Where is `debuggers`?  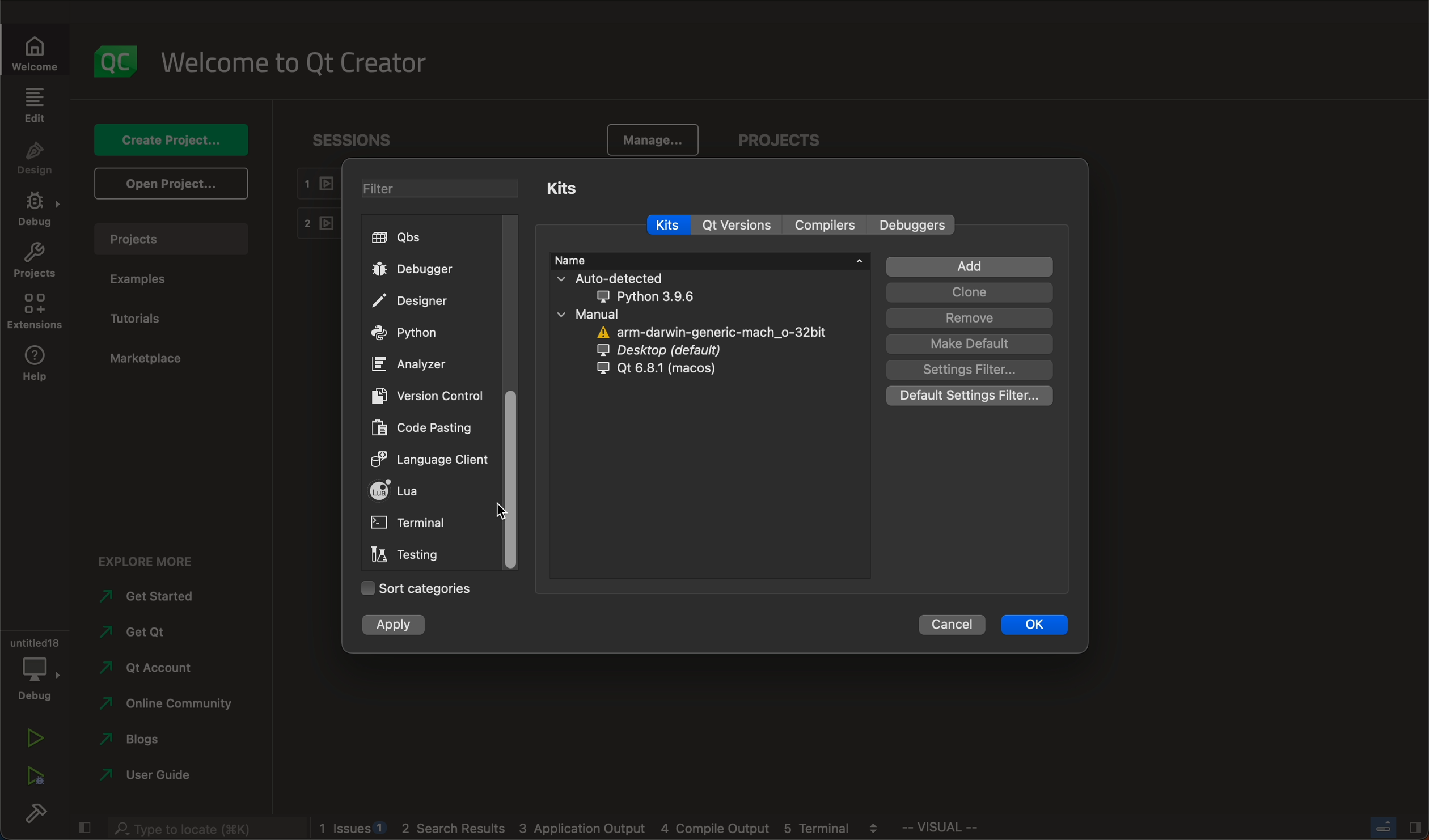 debuggers is located at coordinates (916, 224).